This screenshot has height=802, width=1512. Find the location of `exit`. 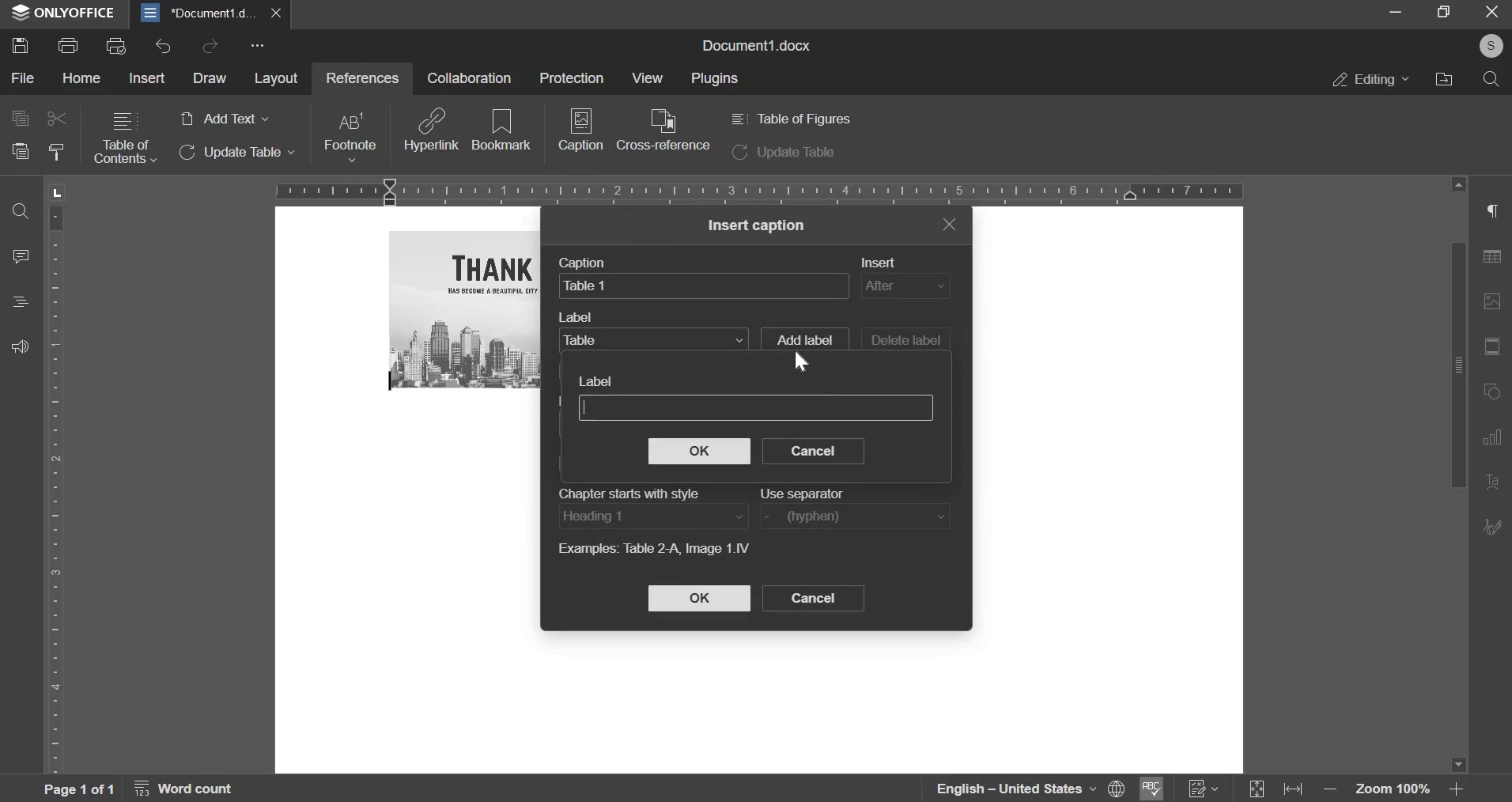

exit is located at coordinates (949, 223).